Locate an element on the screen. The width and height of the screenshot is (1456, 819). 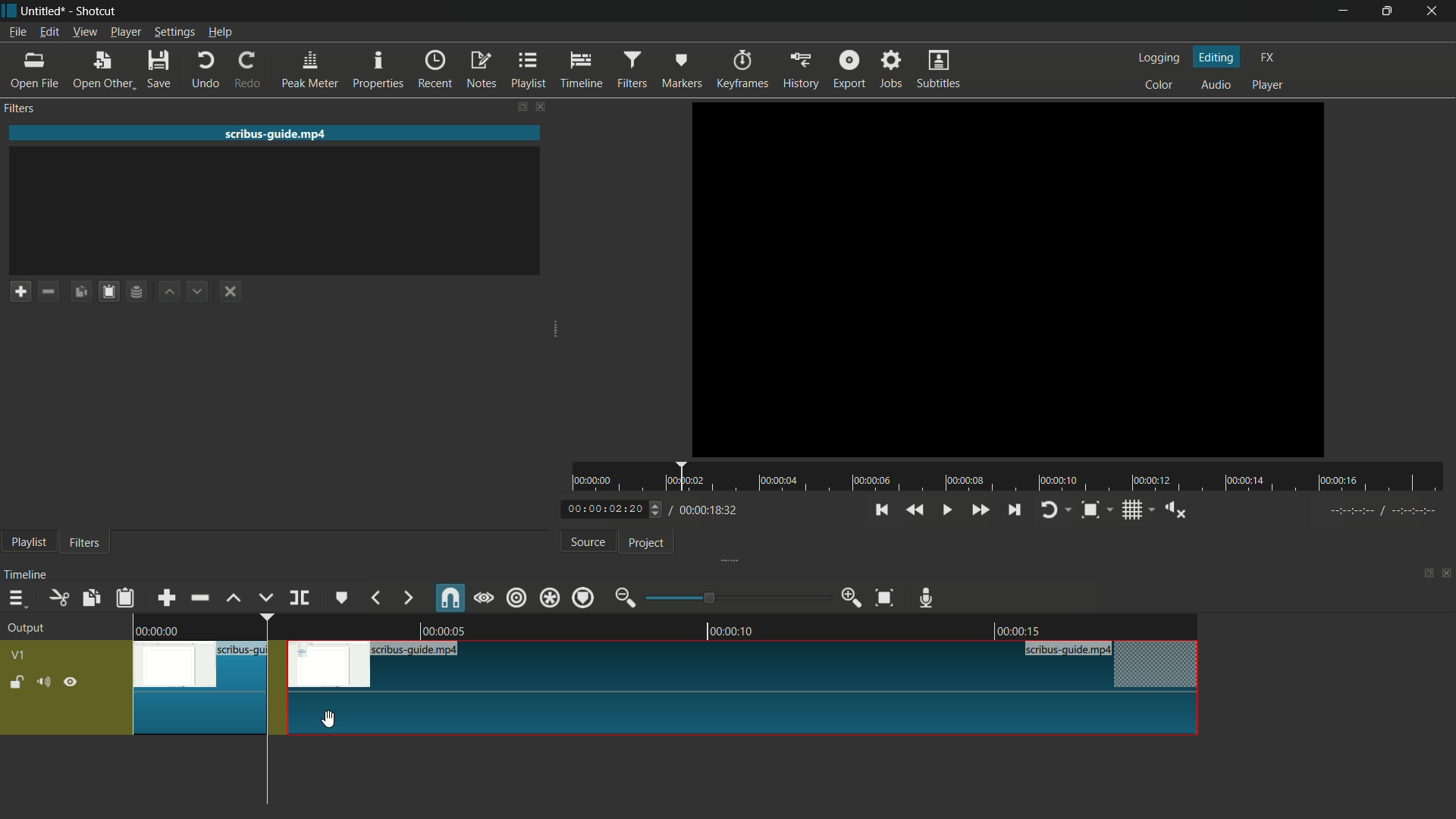
move filter up is located at coordinates (168, 291).